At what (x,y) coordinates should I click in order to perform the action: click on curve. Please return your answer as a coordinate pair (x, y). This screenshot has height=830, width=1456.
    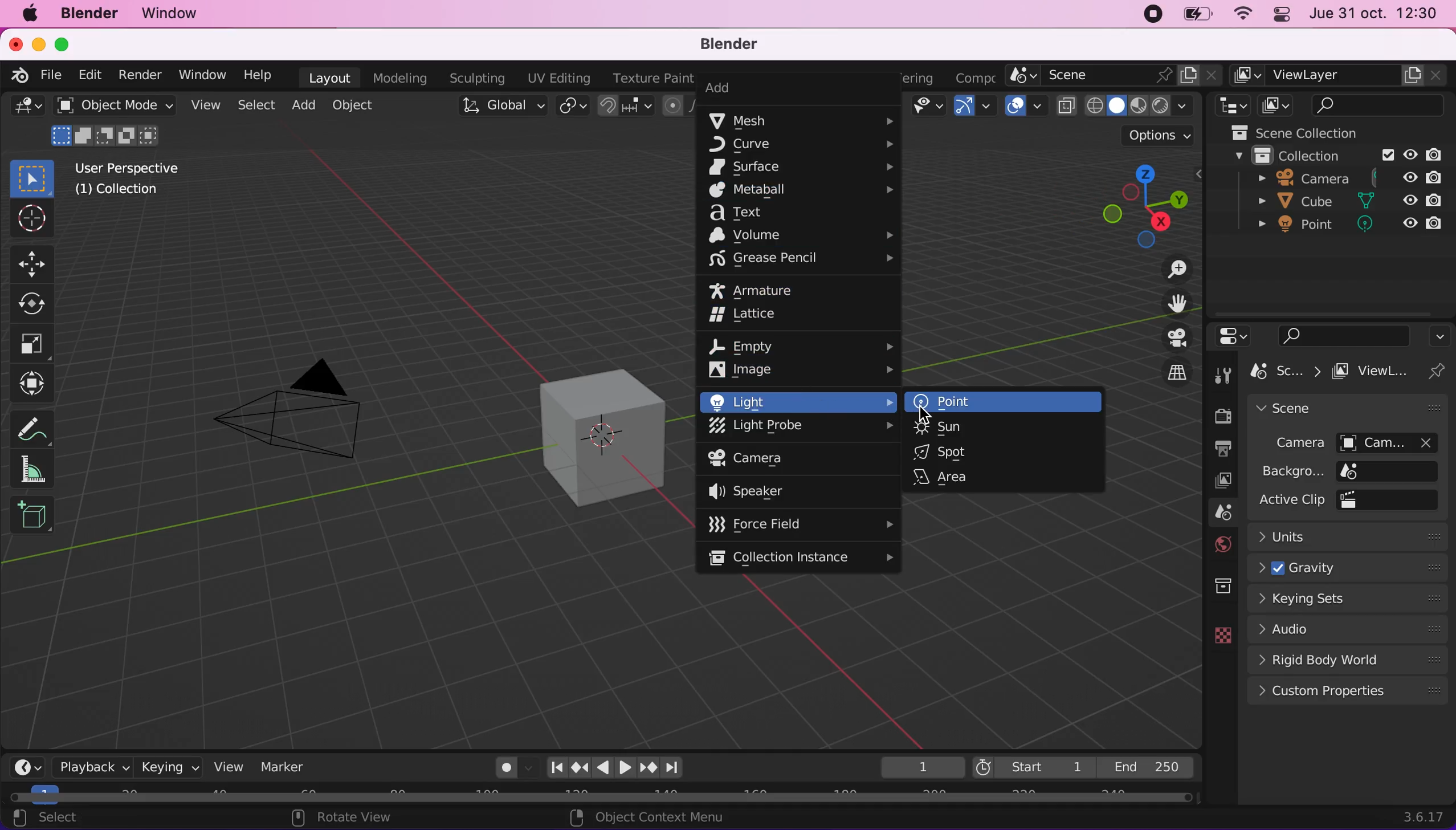
    Looking at the image, I should click on (805, 146).